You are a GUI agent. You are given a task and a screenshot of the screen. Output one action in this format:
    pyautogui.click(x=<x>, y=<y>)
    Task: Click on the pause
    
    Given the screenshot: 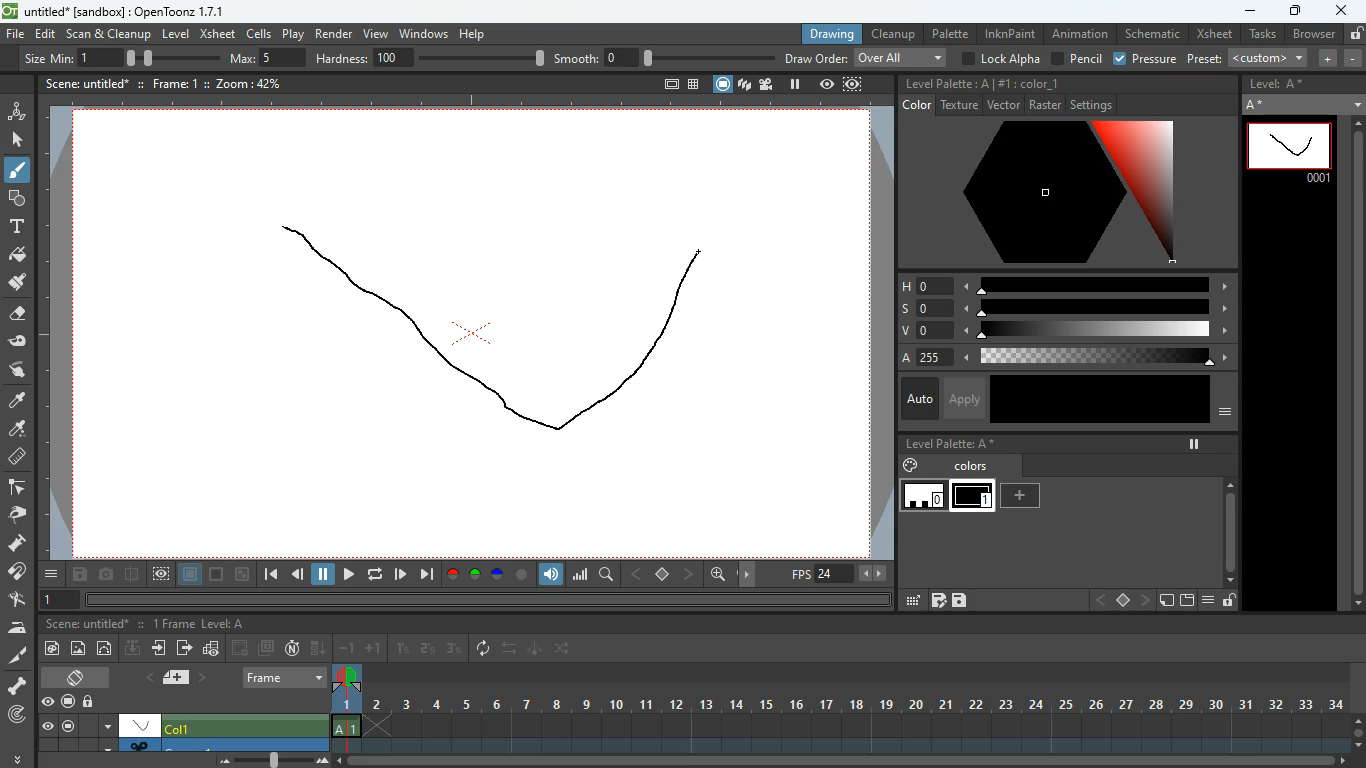 What is the action you would take?
    pyautogui.click(x=324, y=575)
    